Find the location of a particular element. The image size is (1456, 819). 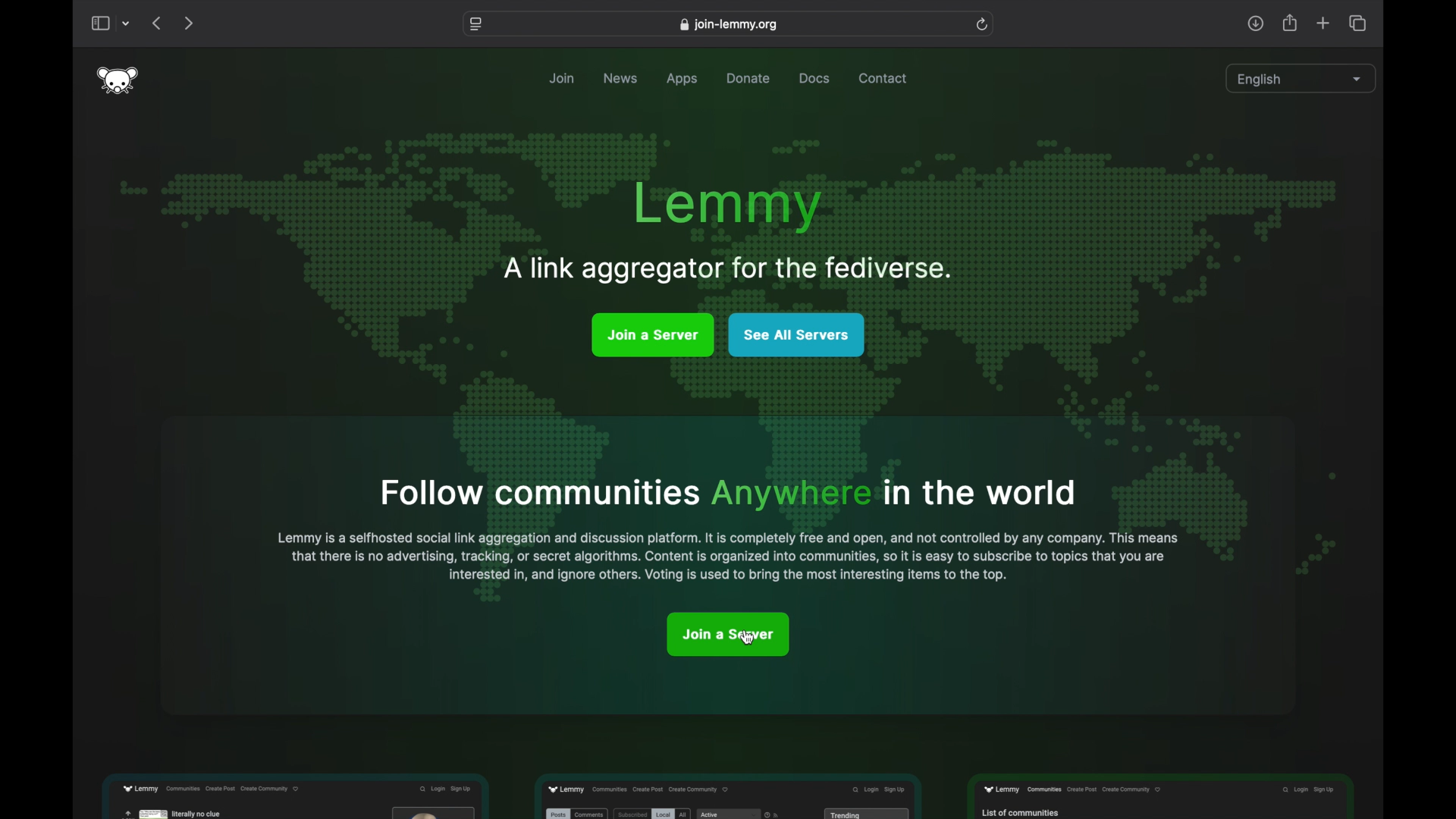

see all server is located at coordinates (798, 335).